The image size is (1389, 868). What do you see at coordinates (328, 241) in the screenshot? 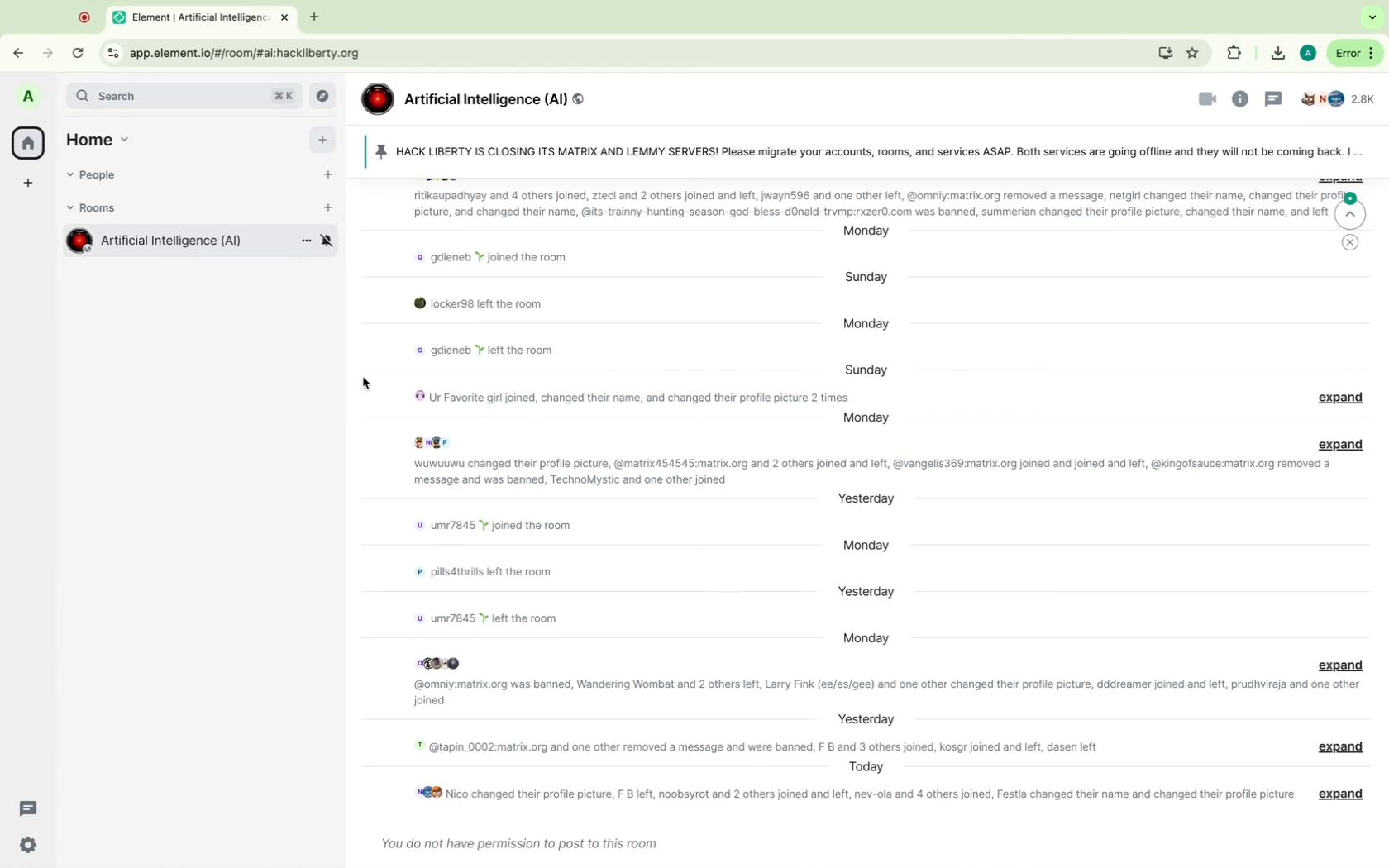
I see `notification option` at bounding box center [328, 241].